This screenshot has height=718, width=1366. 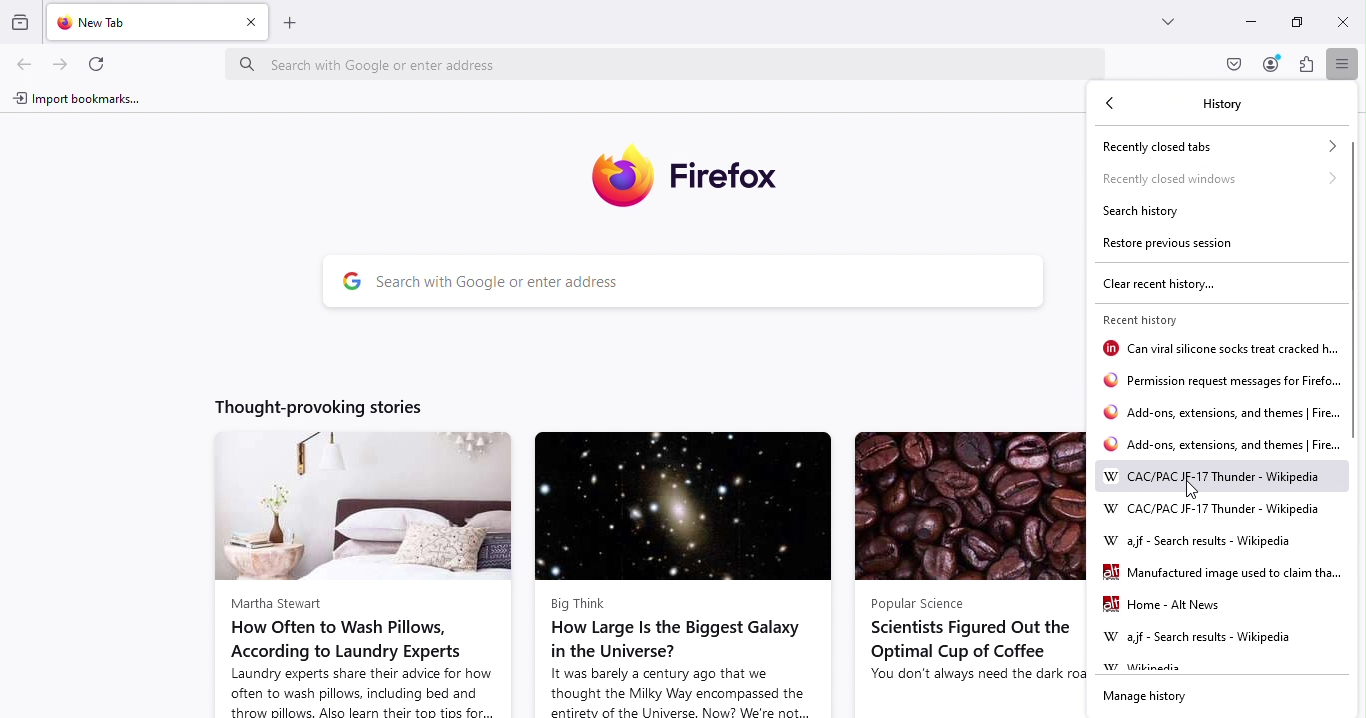 I want to click on Go back, so click(x=1112, y=105).